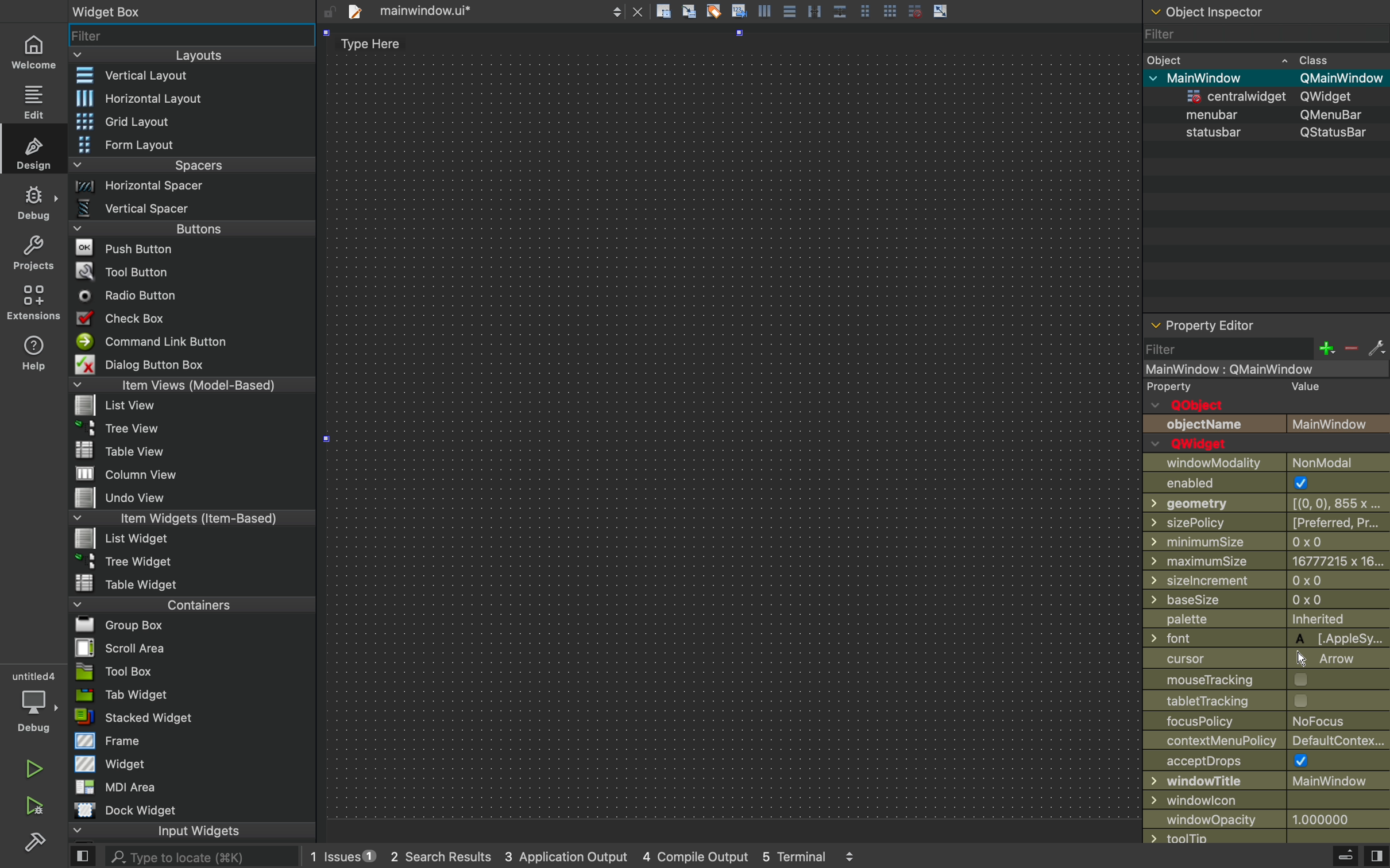  Describe the element at coordinates (192, 606) in the screenshot. I see `containers` at that location.